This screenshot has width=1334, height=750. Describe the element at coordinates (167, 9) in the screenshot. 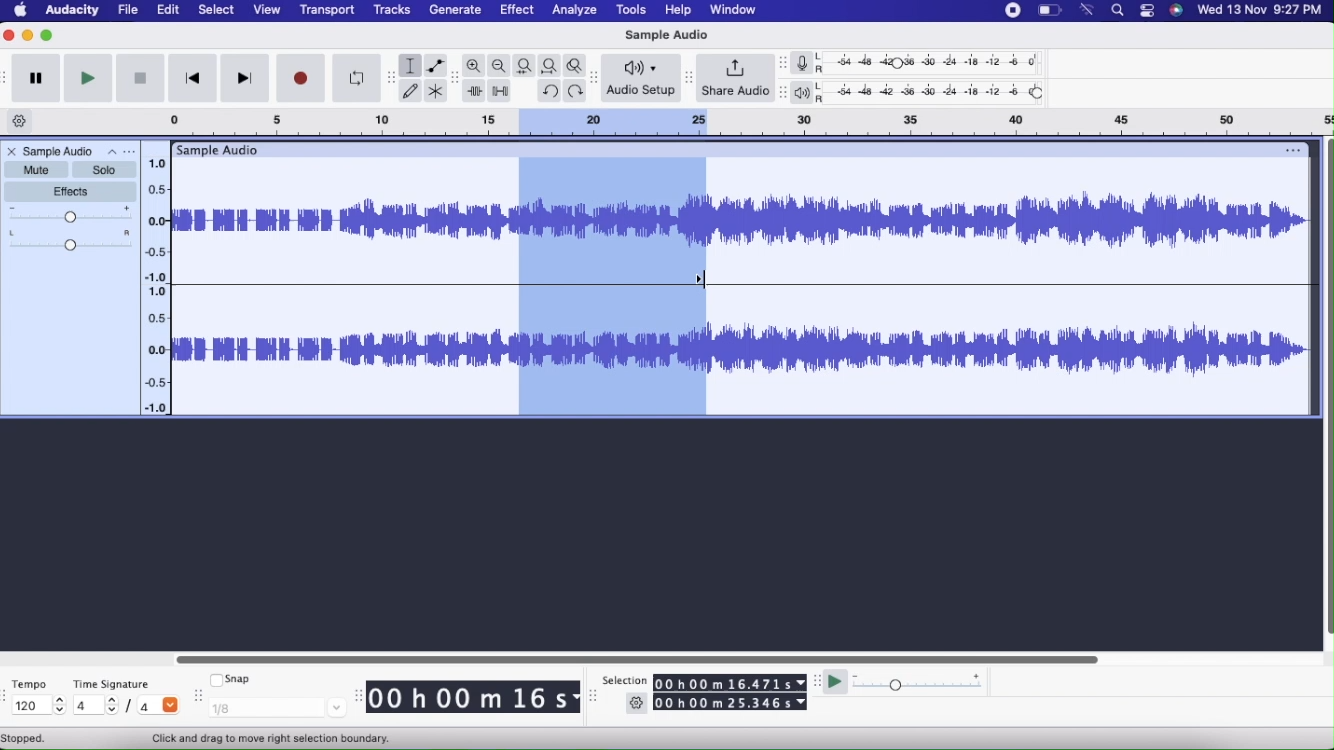

I see `Edit` at that location.